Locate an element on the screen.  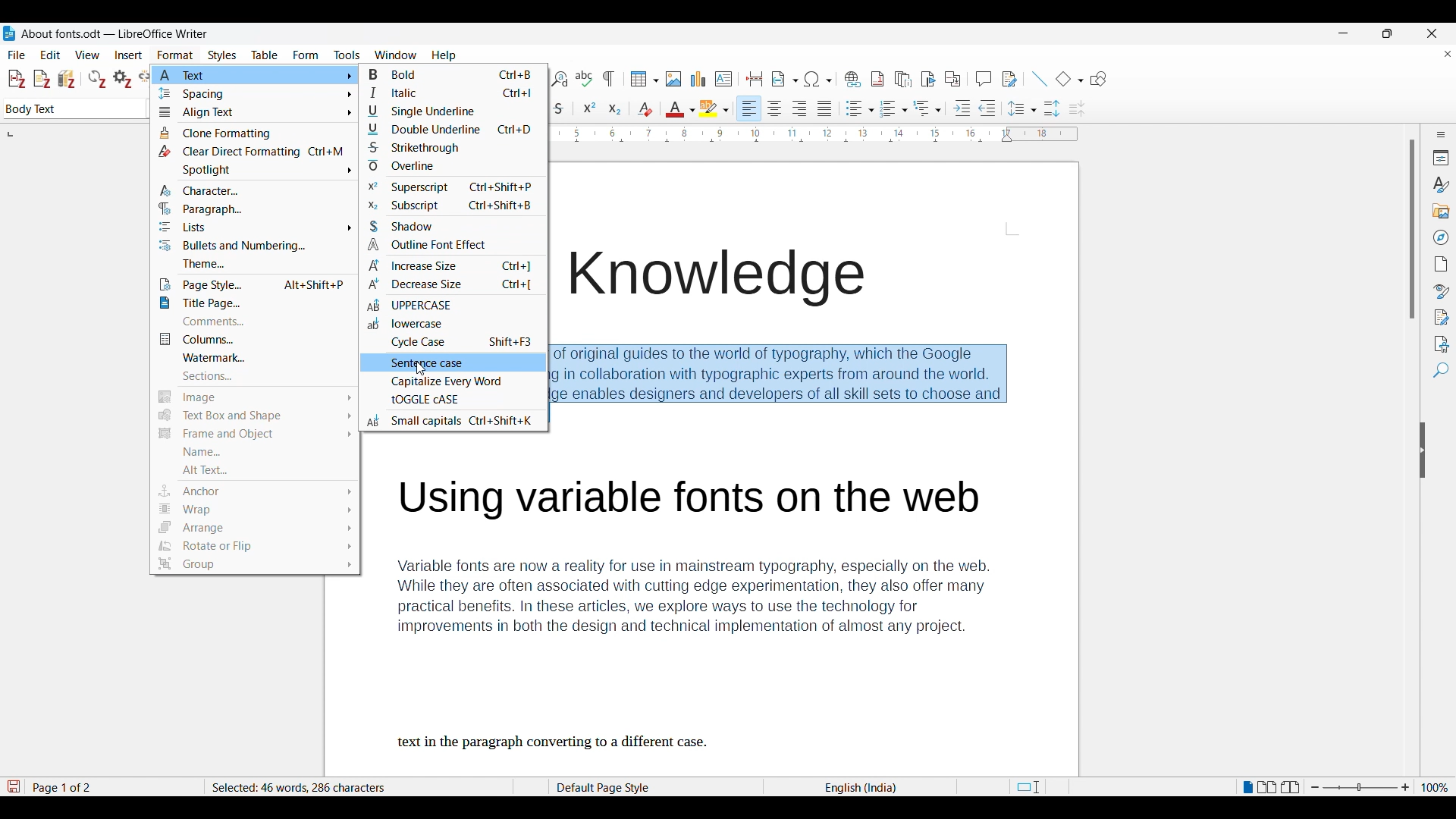
Highlight color options is located at coordinates (714, 108).